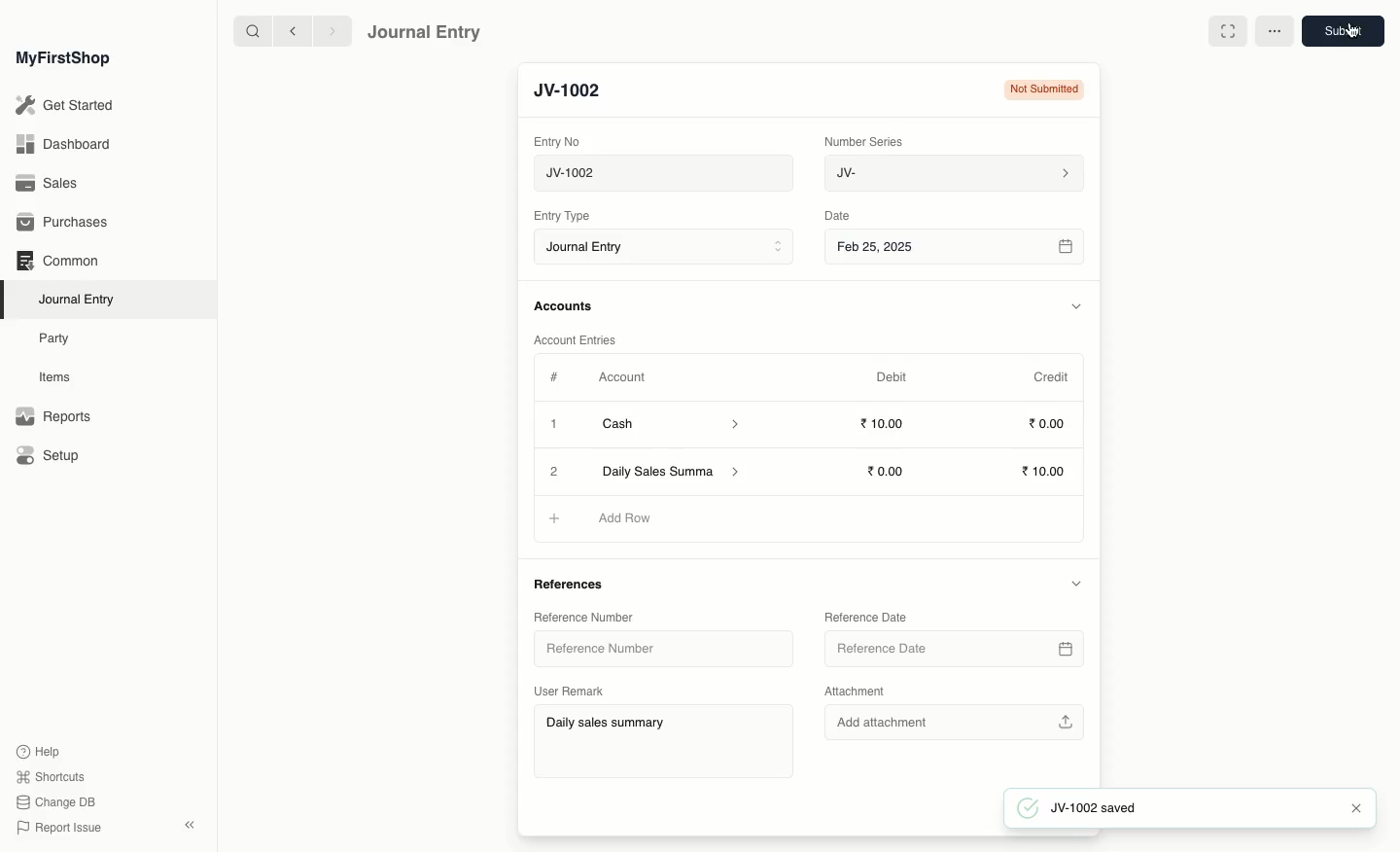  What do you see at coordinates (67, 223) in the screenshot?
I see `Purchases` at bounding box center [67, 223].